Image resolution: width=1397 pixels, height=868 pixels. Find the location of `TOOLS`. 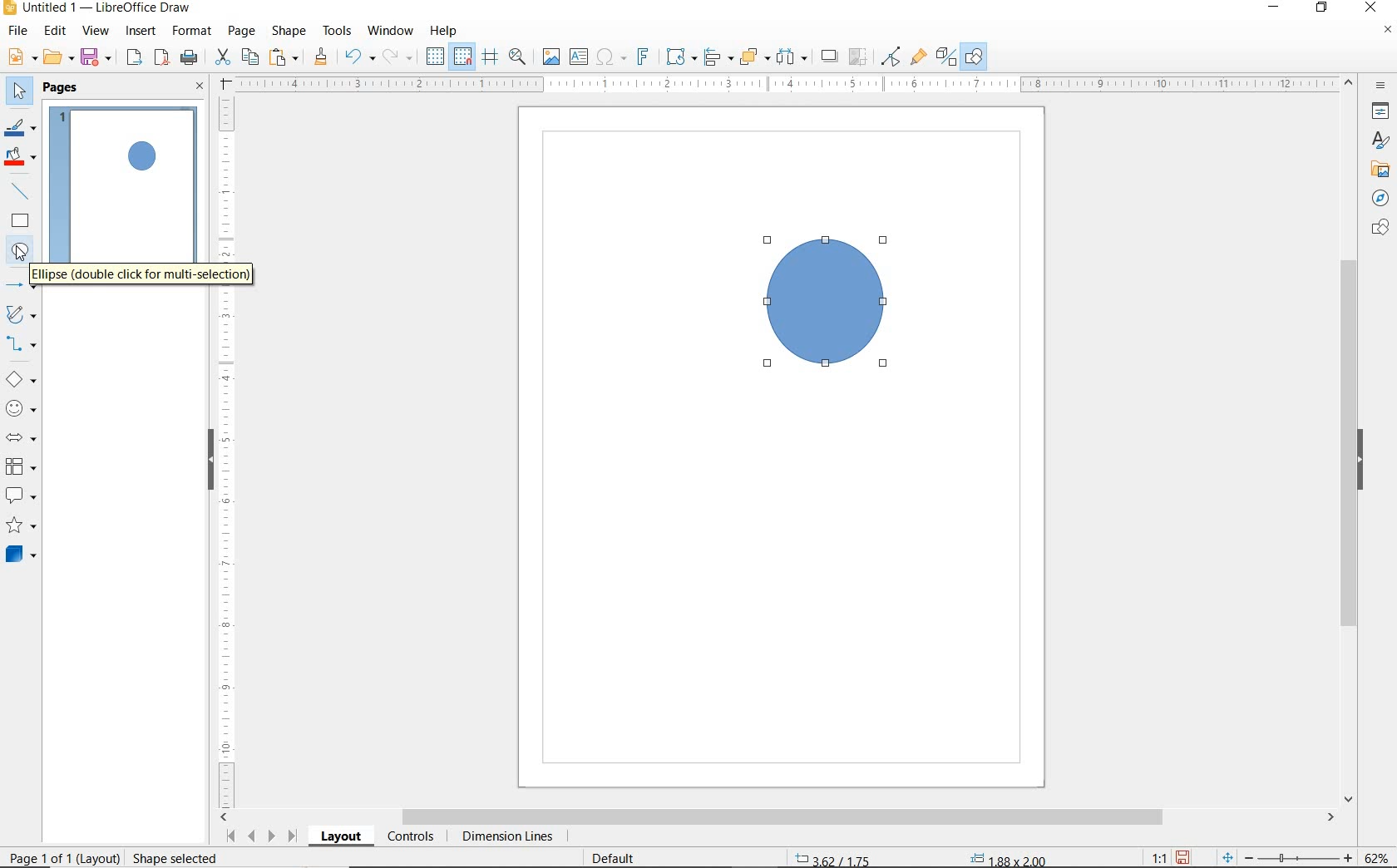

TOOLS is located at coordinates (337, 30).